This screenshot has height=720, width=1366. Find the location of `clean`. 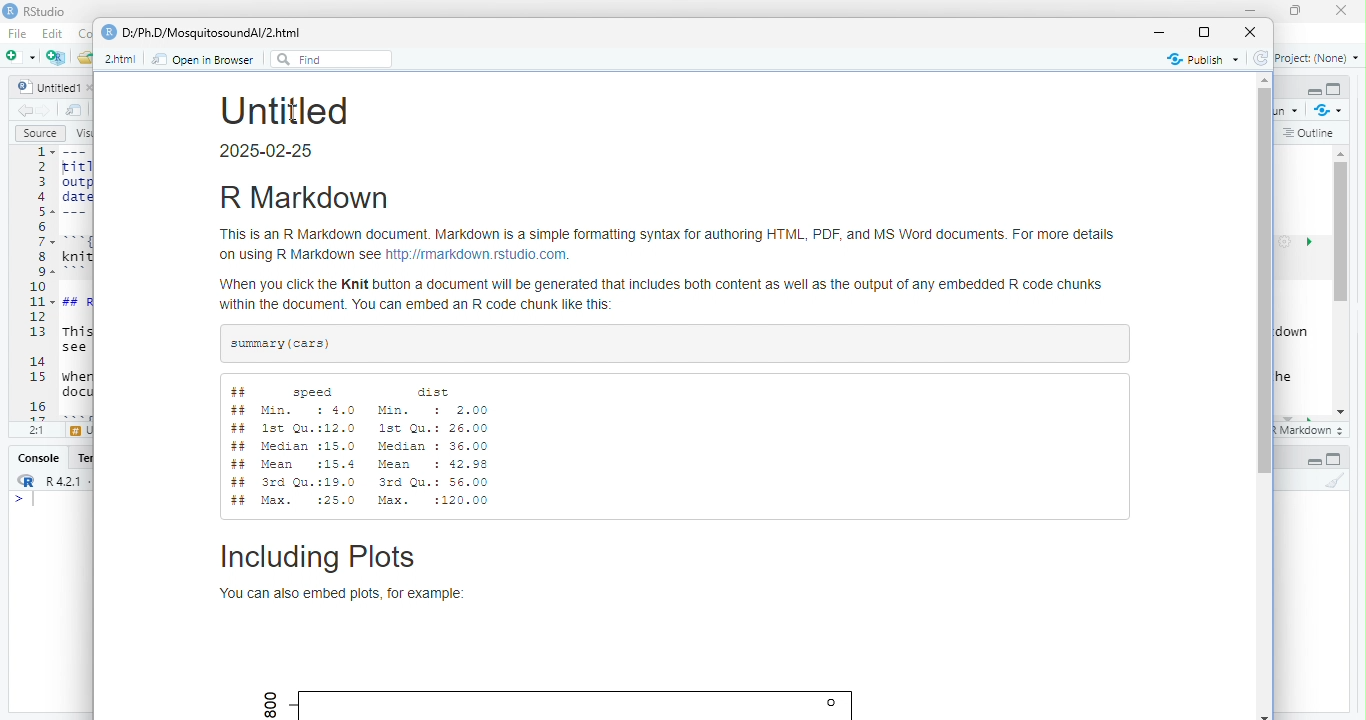

clean is located at coordinates (1335, 480).